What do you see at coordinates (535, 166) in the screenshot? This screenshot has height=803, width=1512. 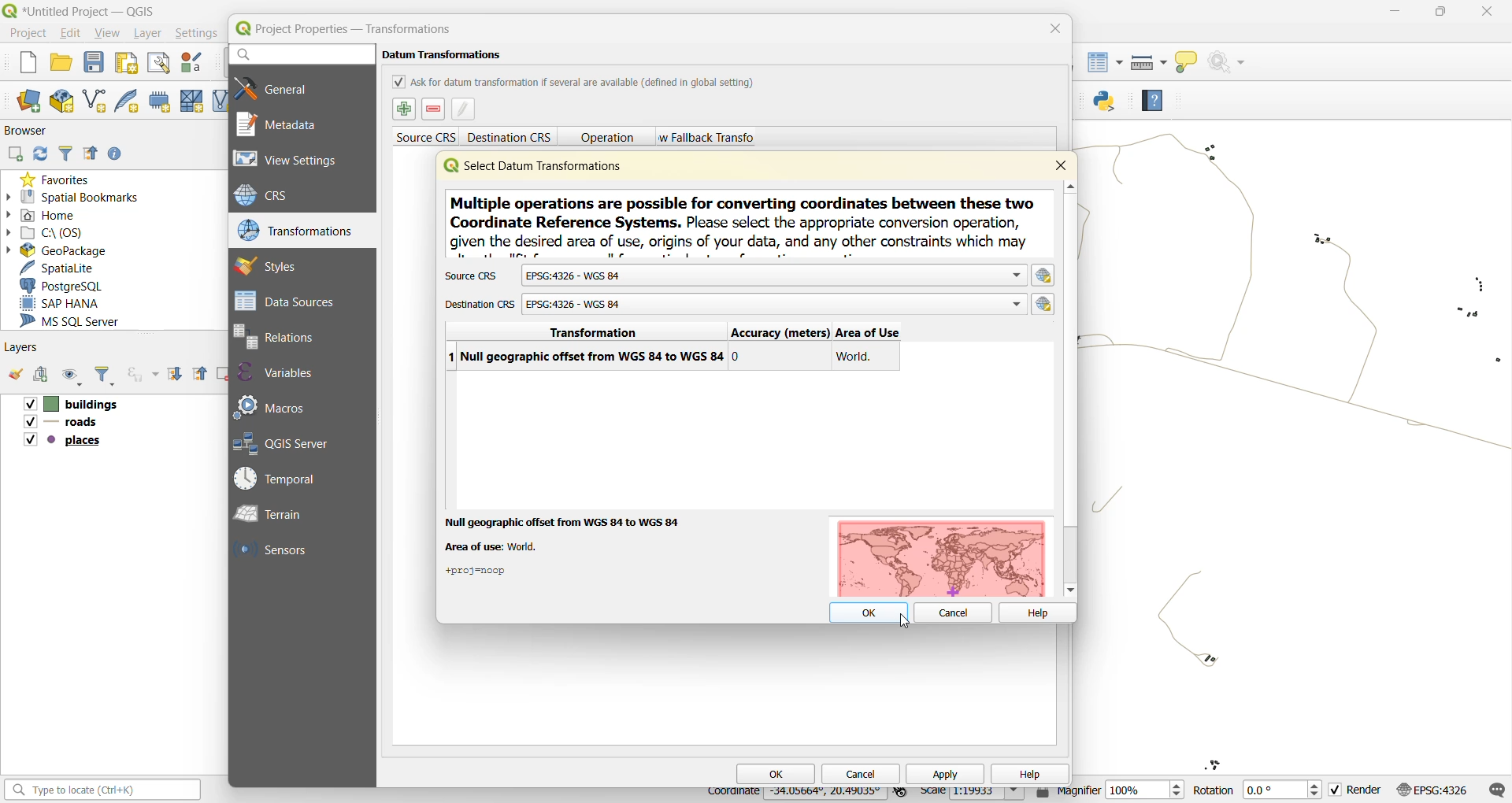 I see `select datum transformations` at bounding box center [535, 166].